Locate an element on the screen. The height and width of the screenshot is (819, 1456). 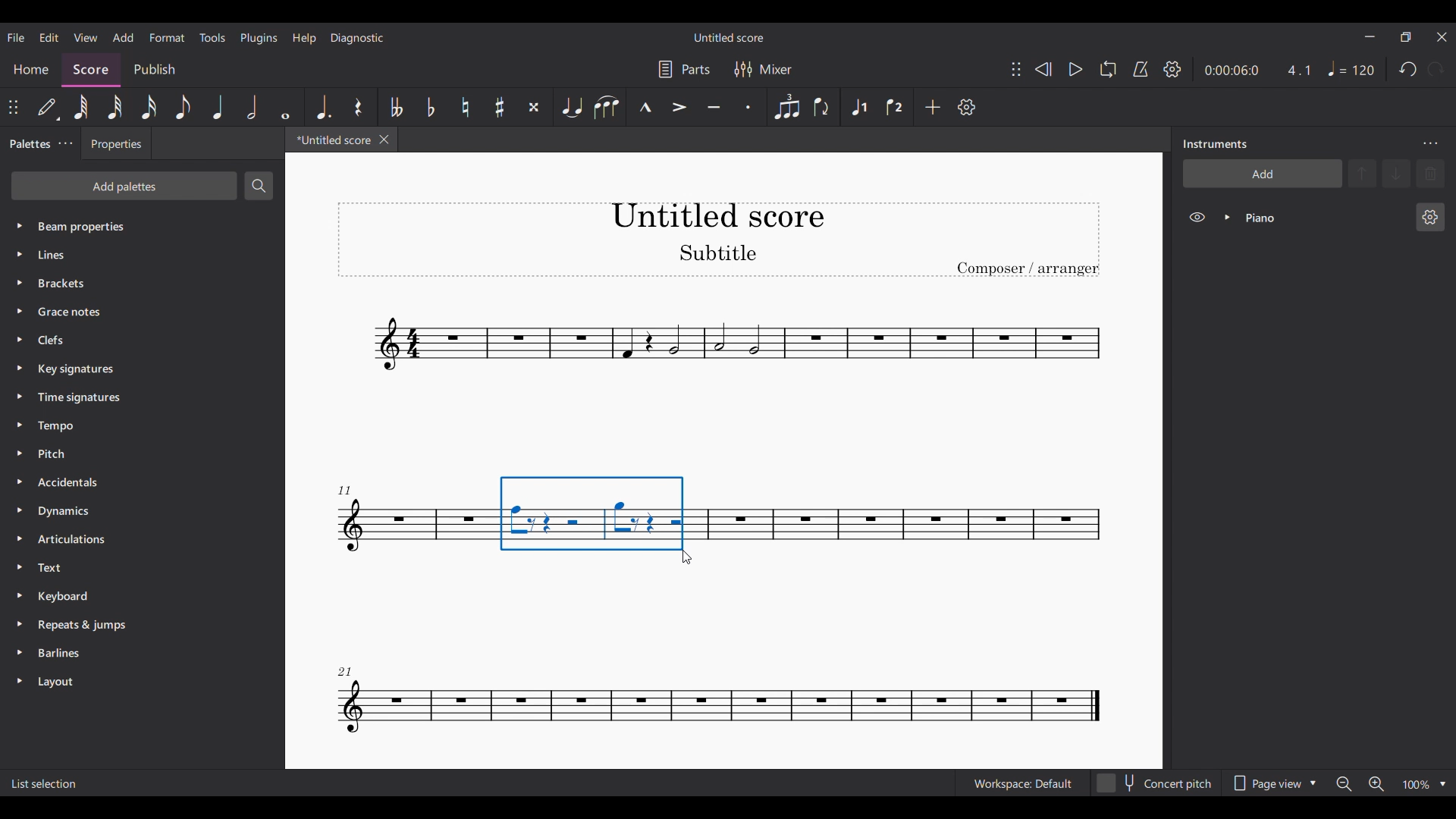
Augmentation dot is located at coordinates (322, 107).